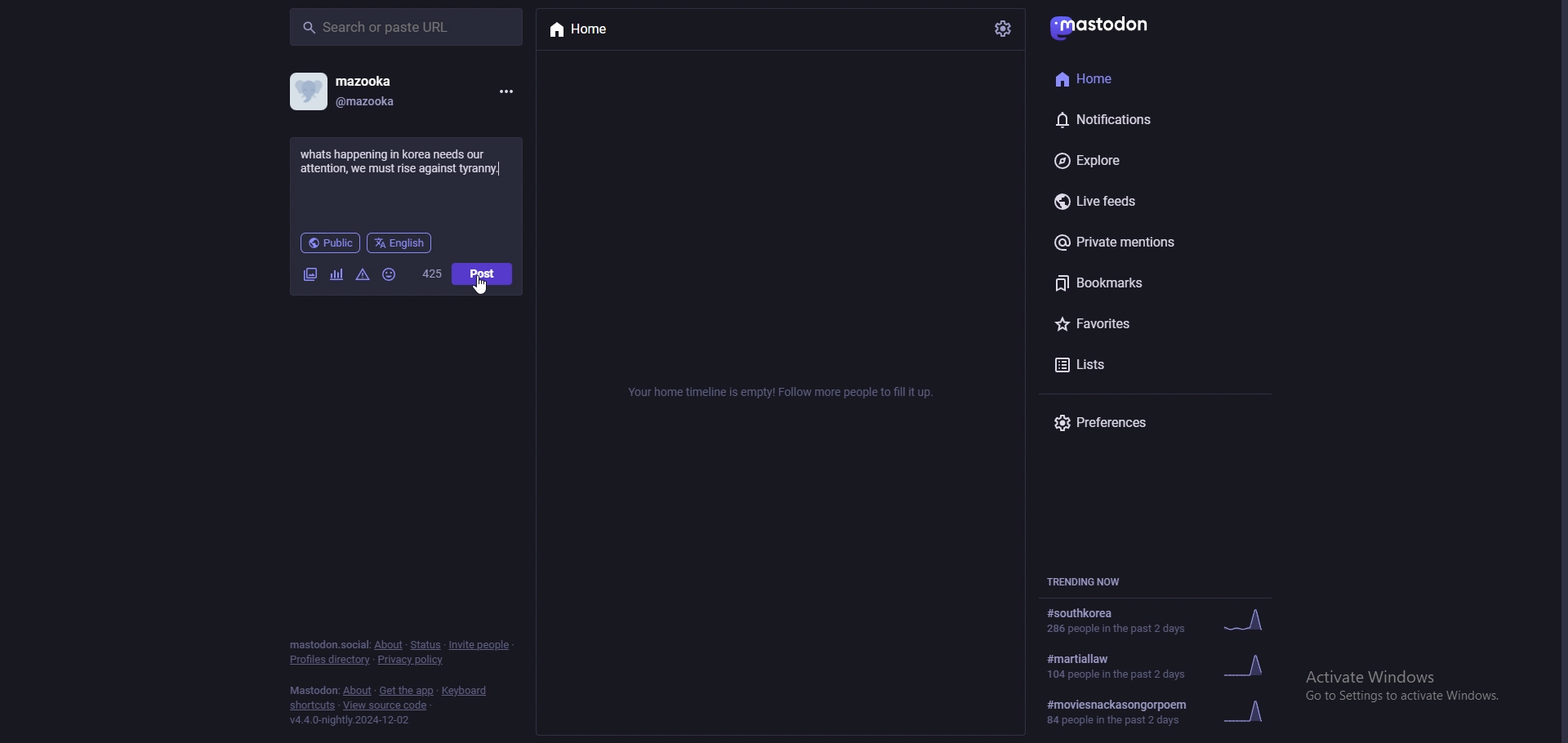 The height and width of the screenshot is (743, 1568). Describe the element at coordinates (312, 275) in the screenshot. I see `images` at that location.